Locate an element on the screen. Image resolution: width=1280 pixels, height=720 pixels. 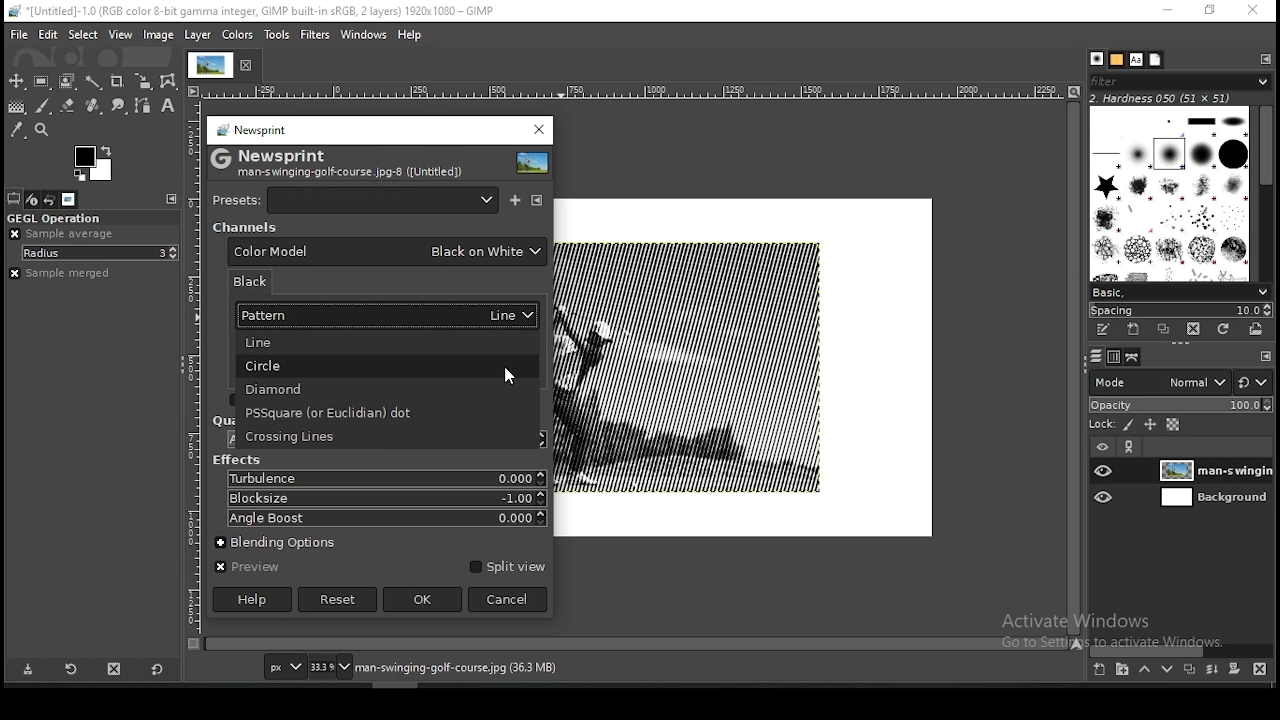
file is located at coordinates (16, 35).